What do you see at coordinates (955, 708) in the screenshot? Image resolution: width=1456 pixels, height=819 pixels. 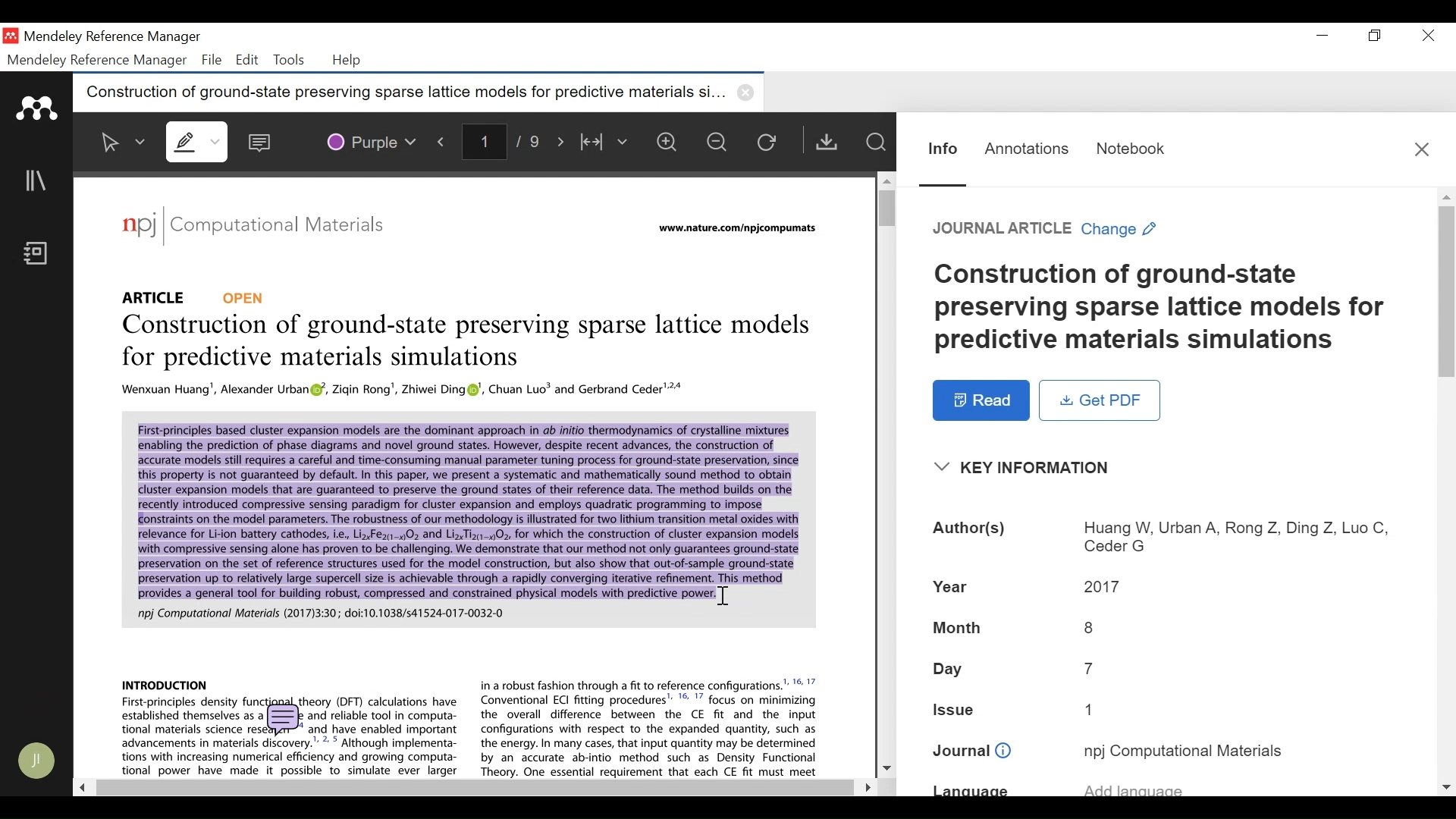 I see `Issue` at bounding box center [955, 708].